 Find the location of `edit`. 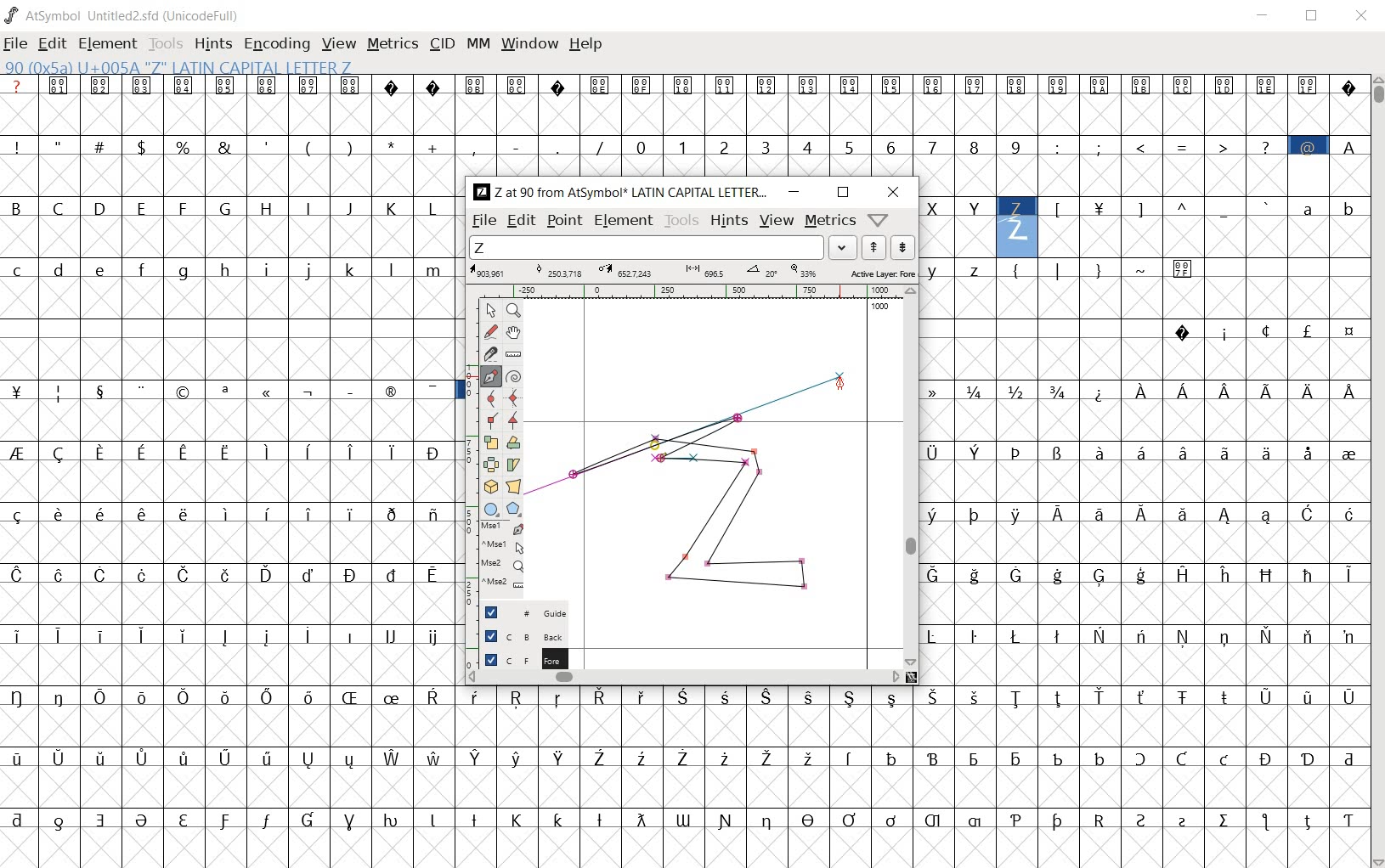

edit is located at coordinates (54, 45).